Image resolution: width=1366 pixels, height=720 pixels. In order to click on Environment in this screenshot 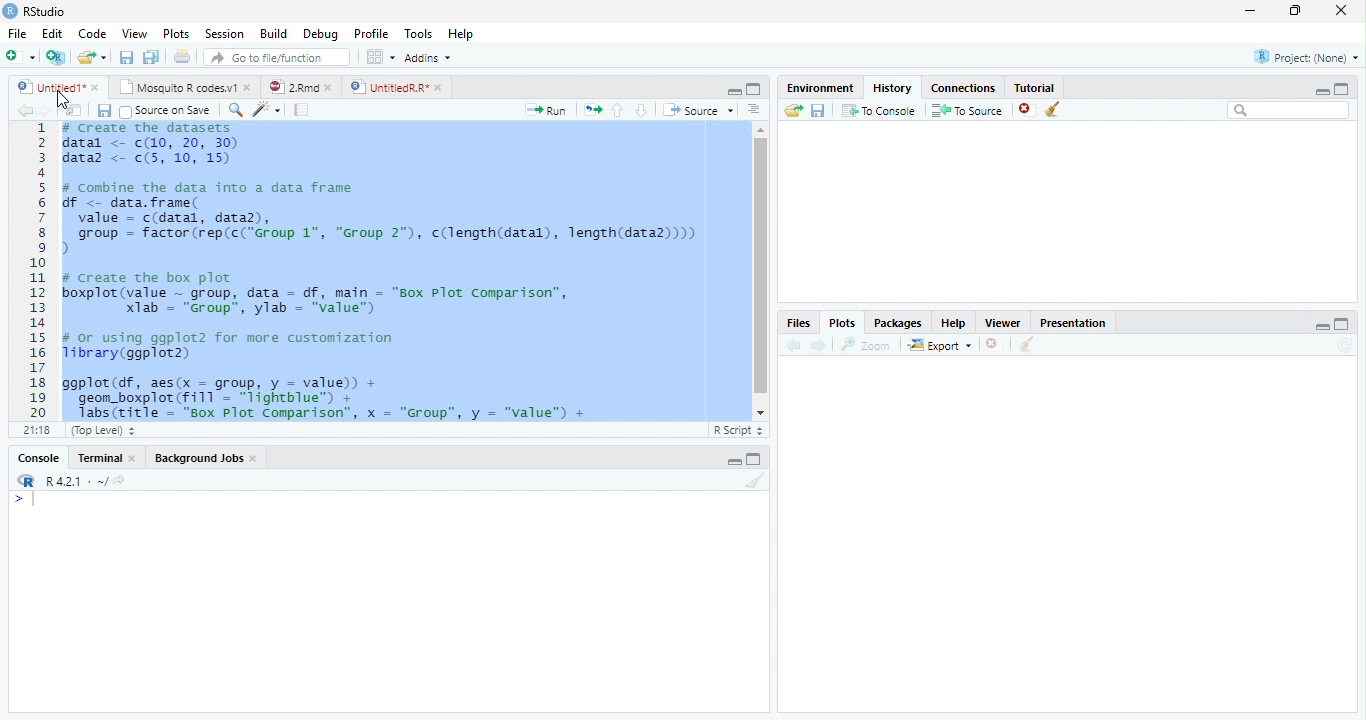, I will do `click(821, 88)`.